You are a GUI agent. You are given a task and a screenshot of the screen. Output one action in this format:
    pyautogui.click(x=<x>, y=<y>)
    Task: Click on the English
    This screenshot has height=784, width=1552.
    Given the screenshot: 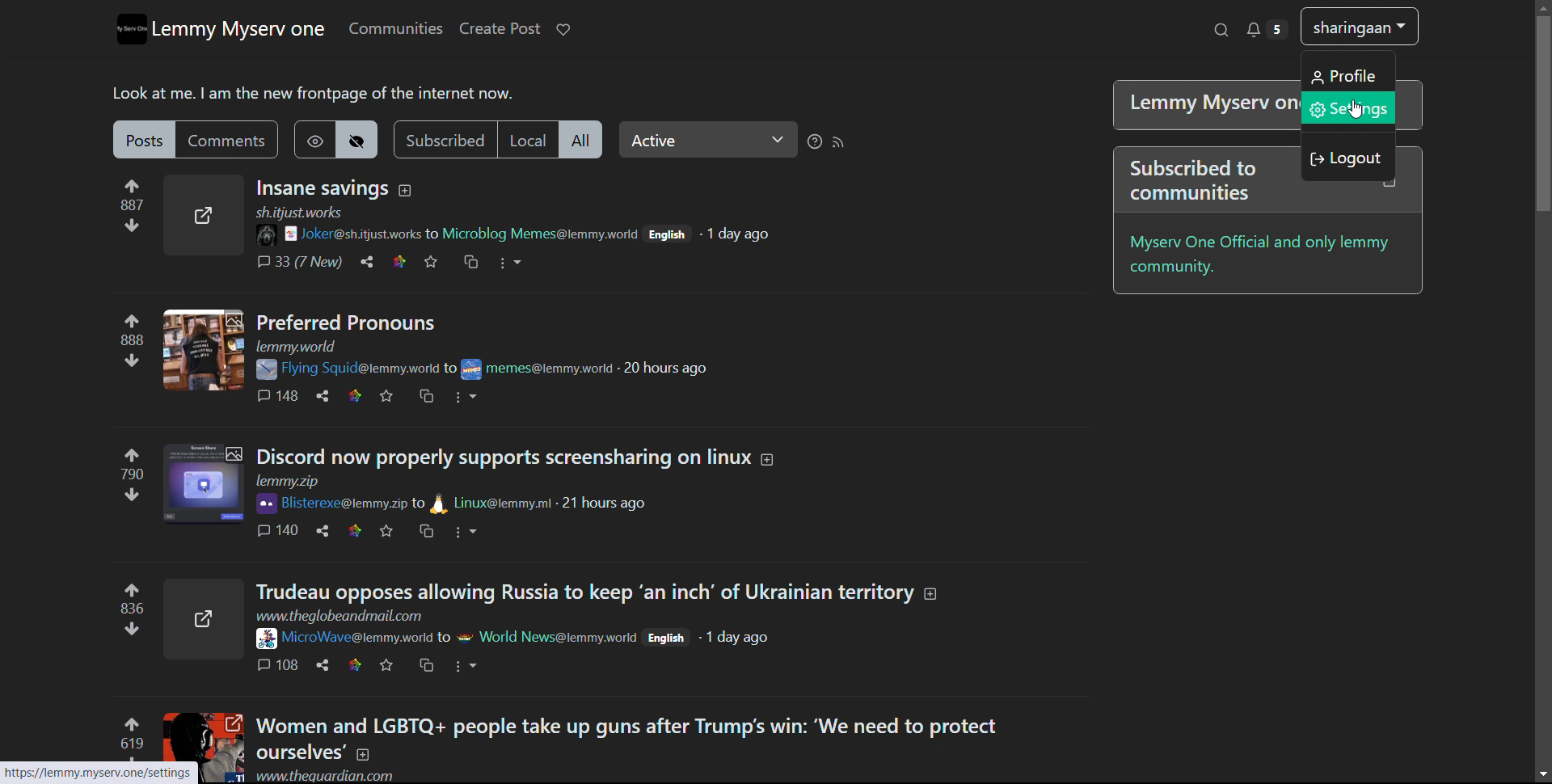 What is the action you would take?
    pyautogui.click(x=664, y=637)
    